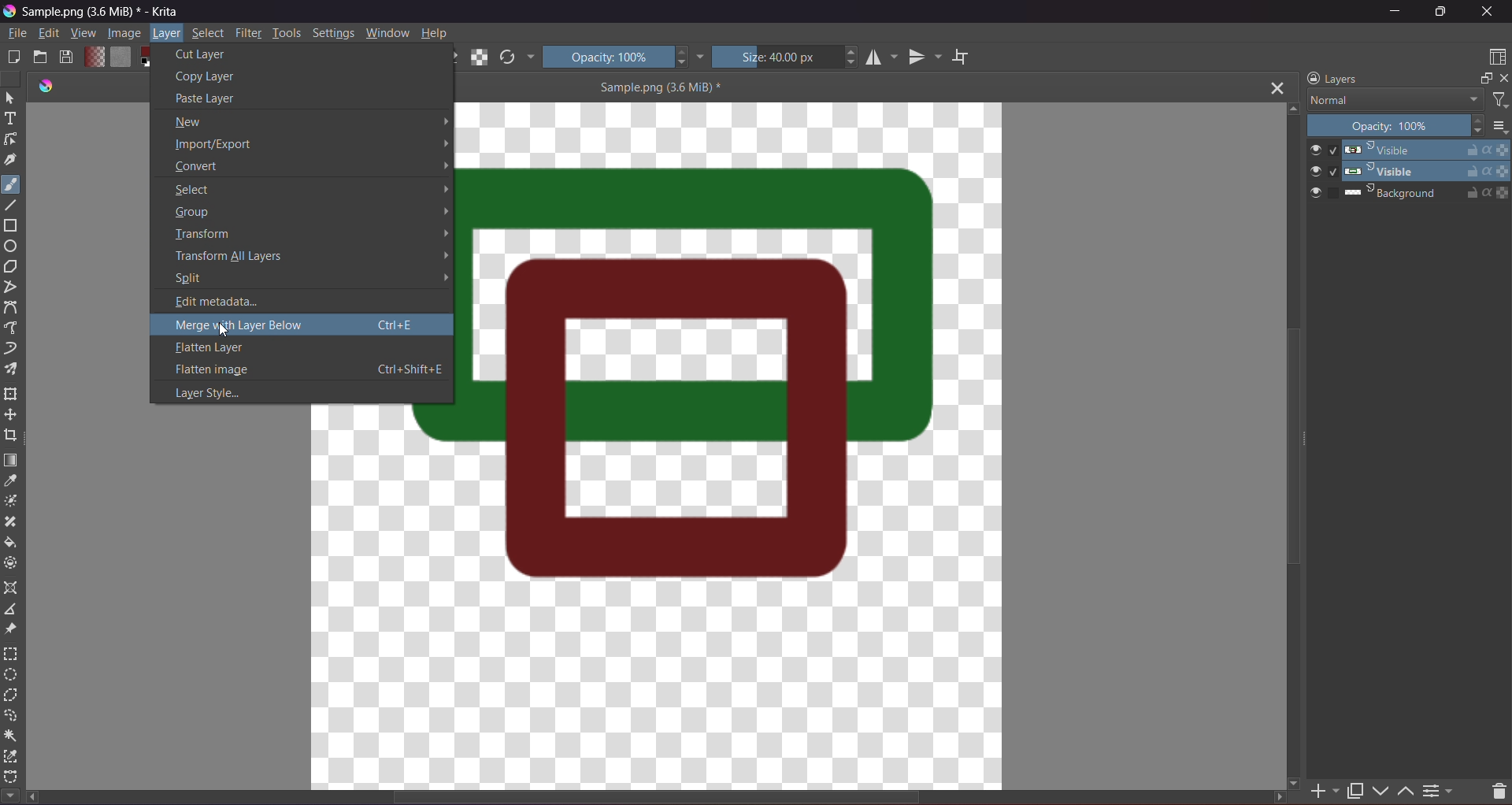  I want to click on Image, so click(122, 34).